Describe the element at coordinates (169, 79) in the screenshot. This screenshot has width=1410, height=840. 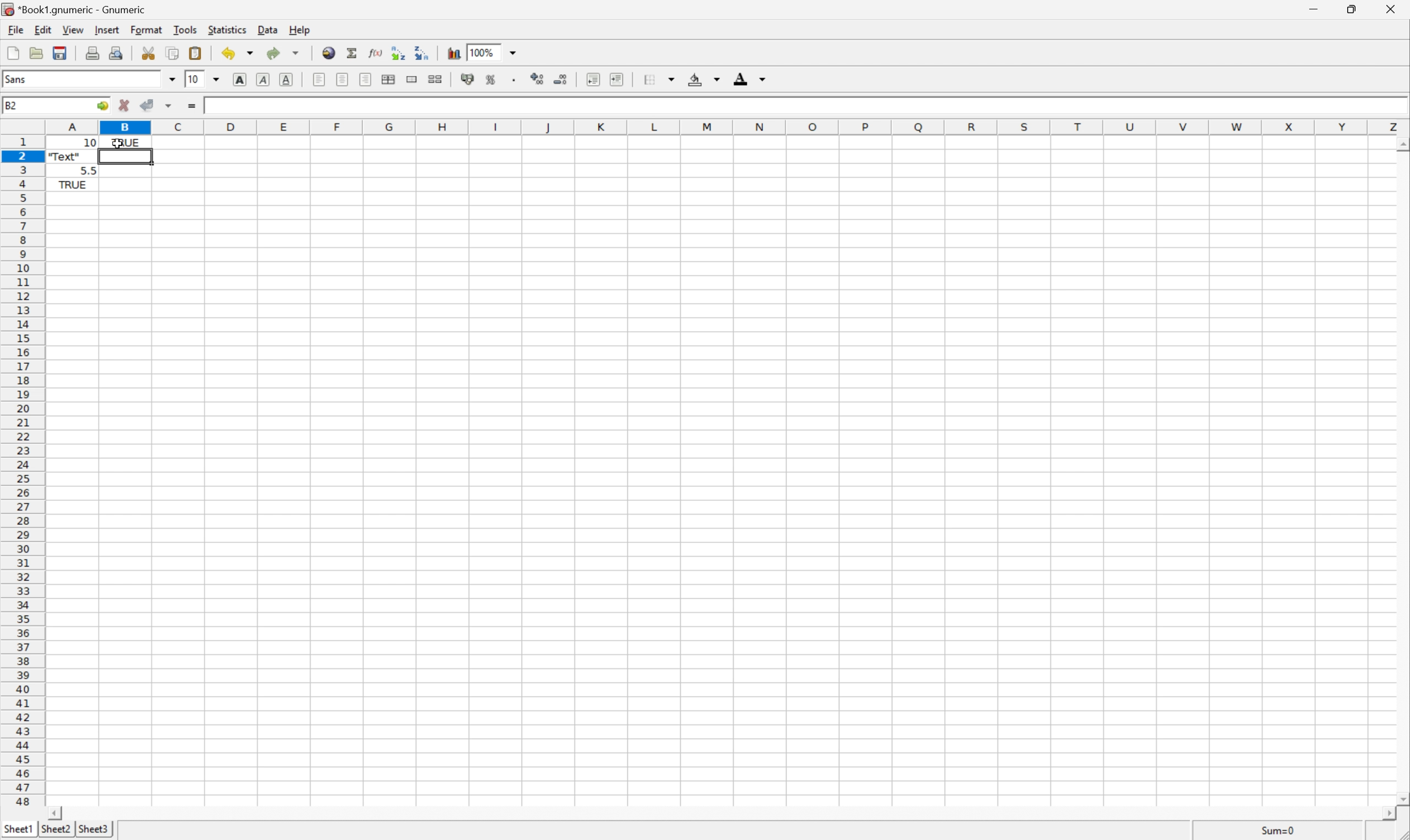
I see `Drop Down` at that location.